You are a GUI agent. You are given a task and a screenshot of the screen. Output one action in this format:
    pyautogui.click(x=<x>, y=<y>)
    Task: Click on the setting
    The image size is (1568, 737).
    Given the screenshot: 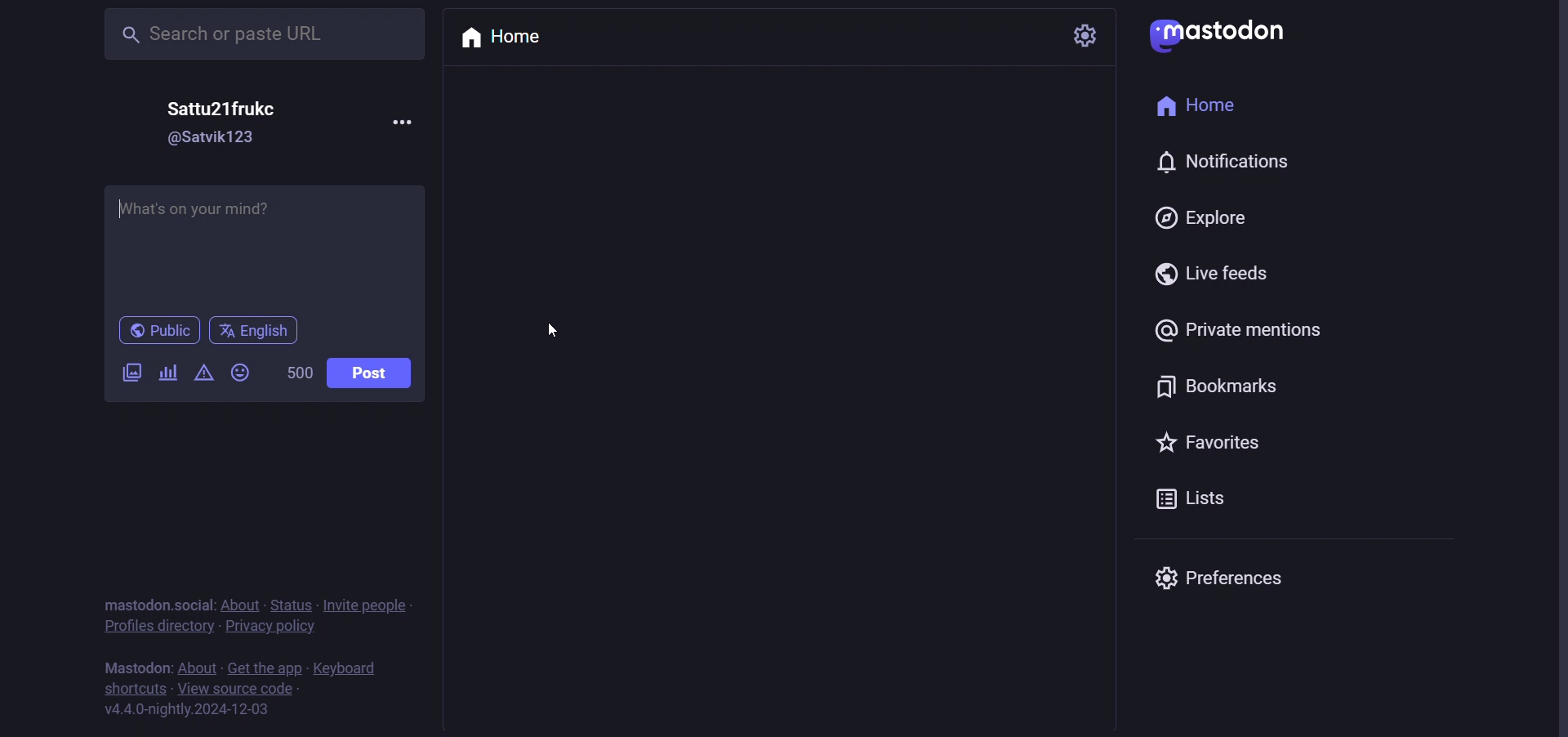 What is the action you would take?
    pyautogui.click(x=1089, y=35)
    